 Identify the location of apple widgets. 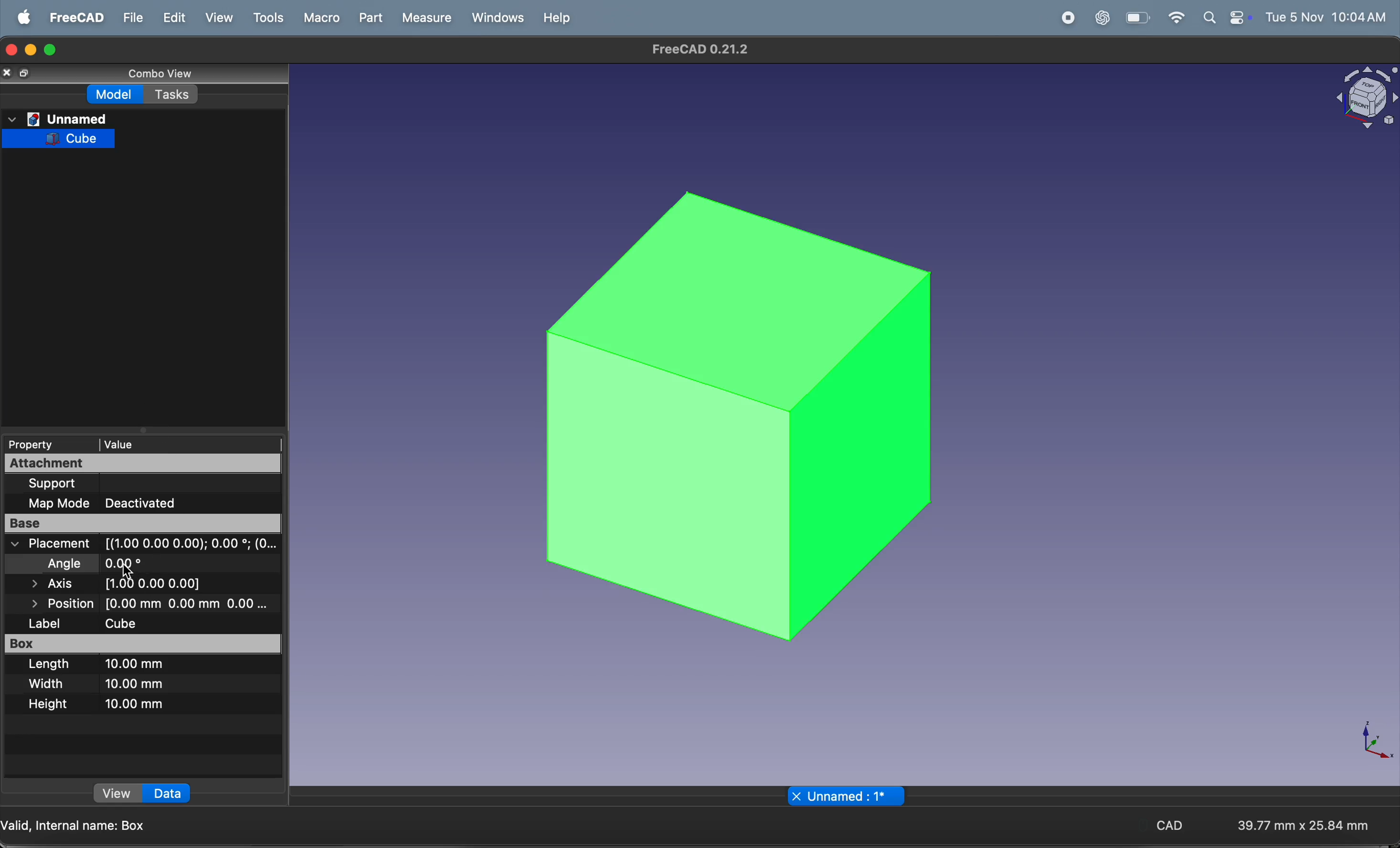
(1212, 17).